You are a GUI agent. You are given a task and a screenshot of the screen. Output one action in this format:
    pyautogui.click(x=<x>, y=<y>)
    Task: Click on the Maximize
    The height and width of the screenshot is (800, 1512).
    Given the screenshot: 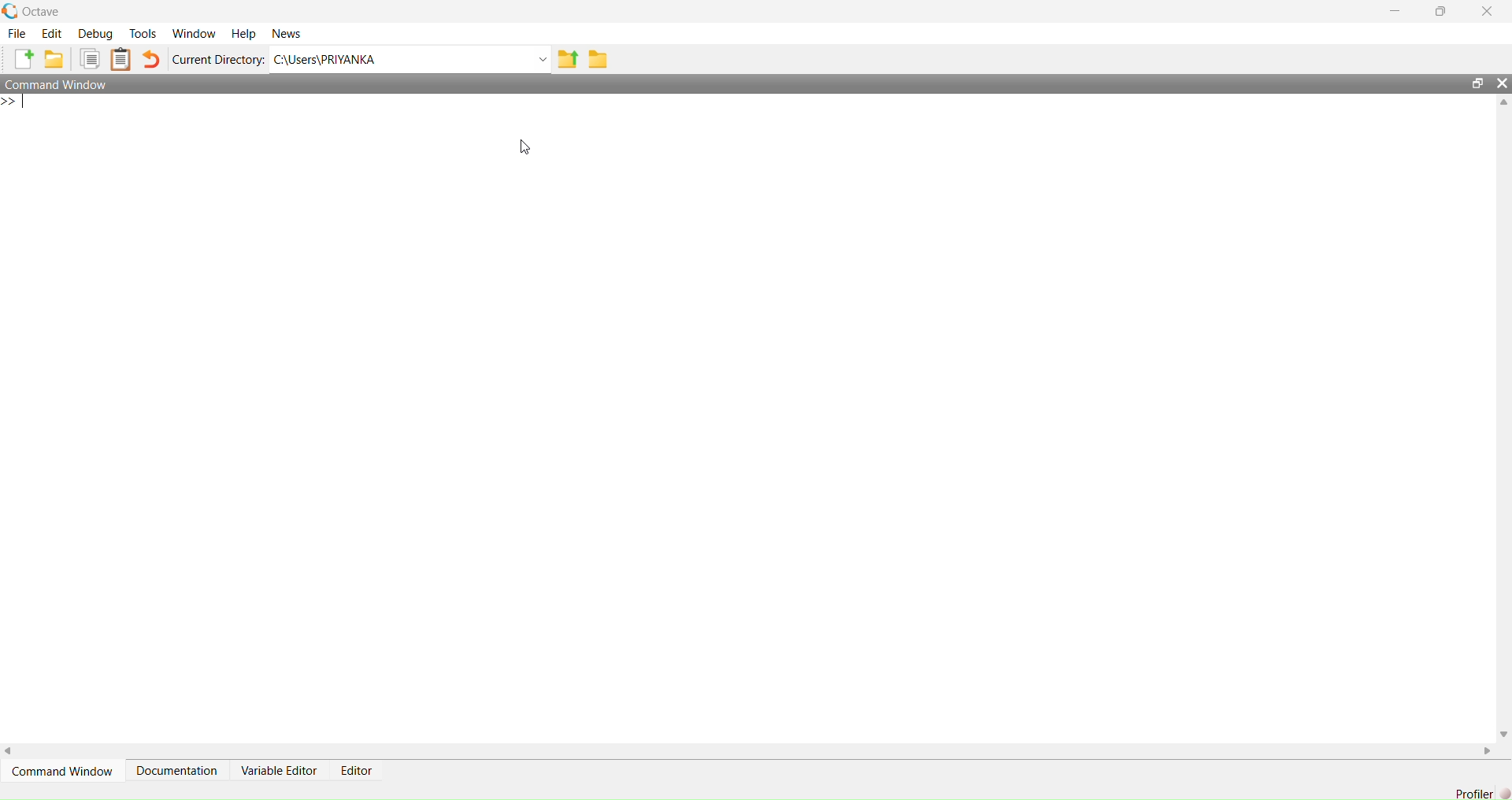 What is the action you would take?
    pyautogui.click(x=1443, y=9)
    